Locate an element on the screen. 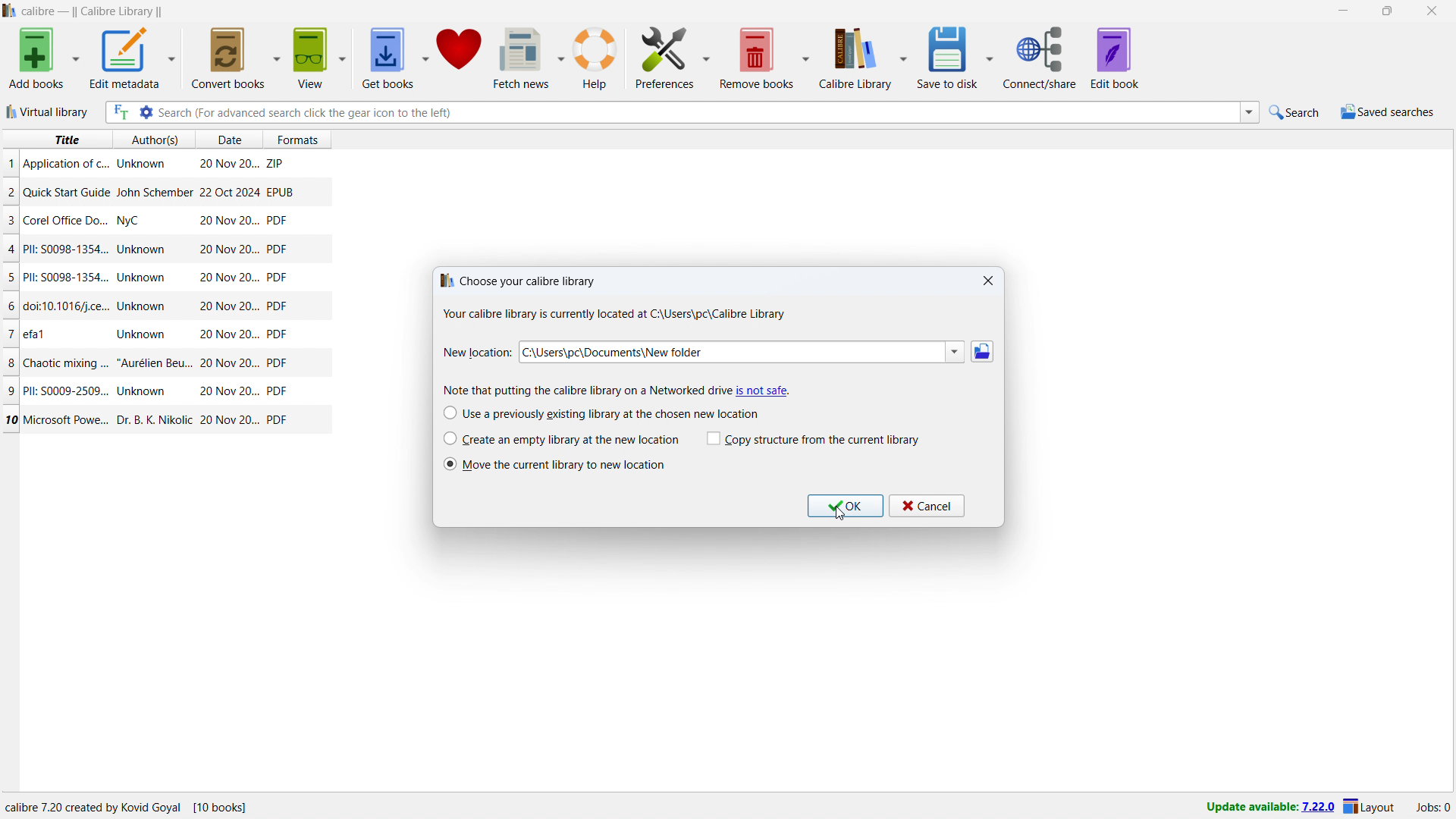 The height and width of the screenshot is (819, 1456). location selected is located at coordinates (726, 353).